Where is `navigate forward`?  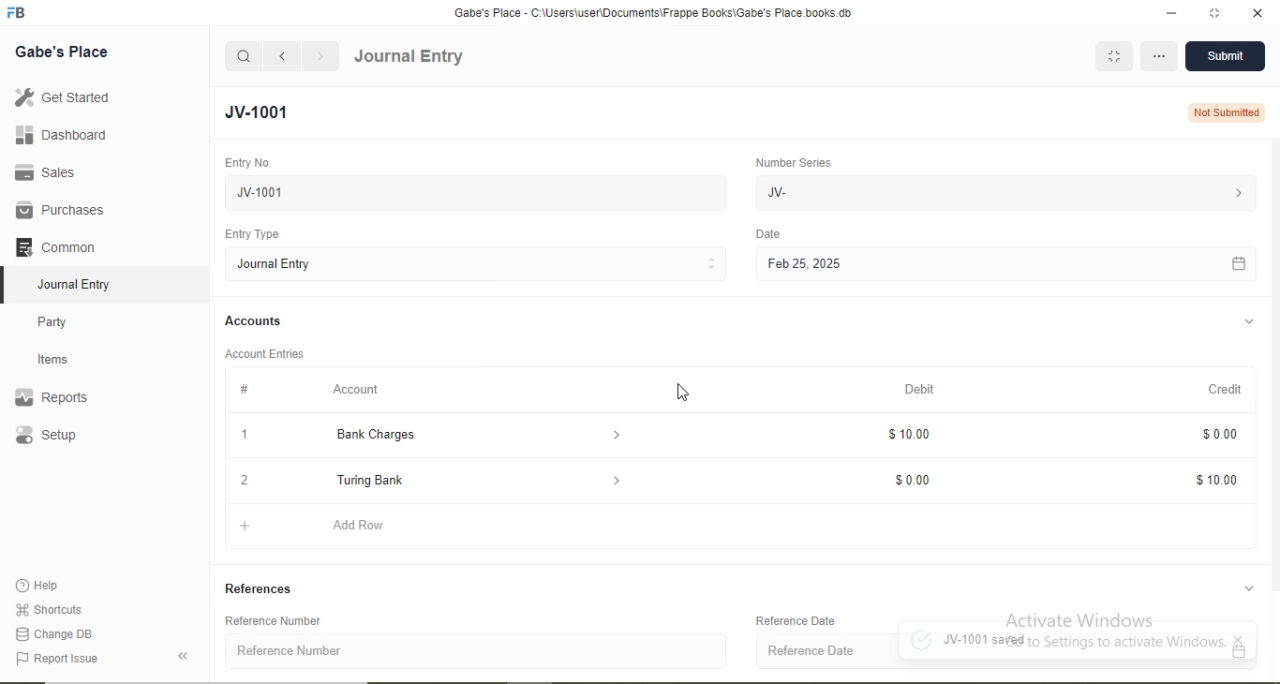 navigate forward is located at coordinates (322, 56).